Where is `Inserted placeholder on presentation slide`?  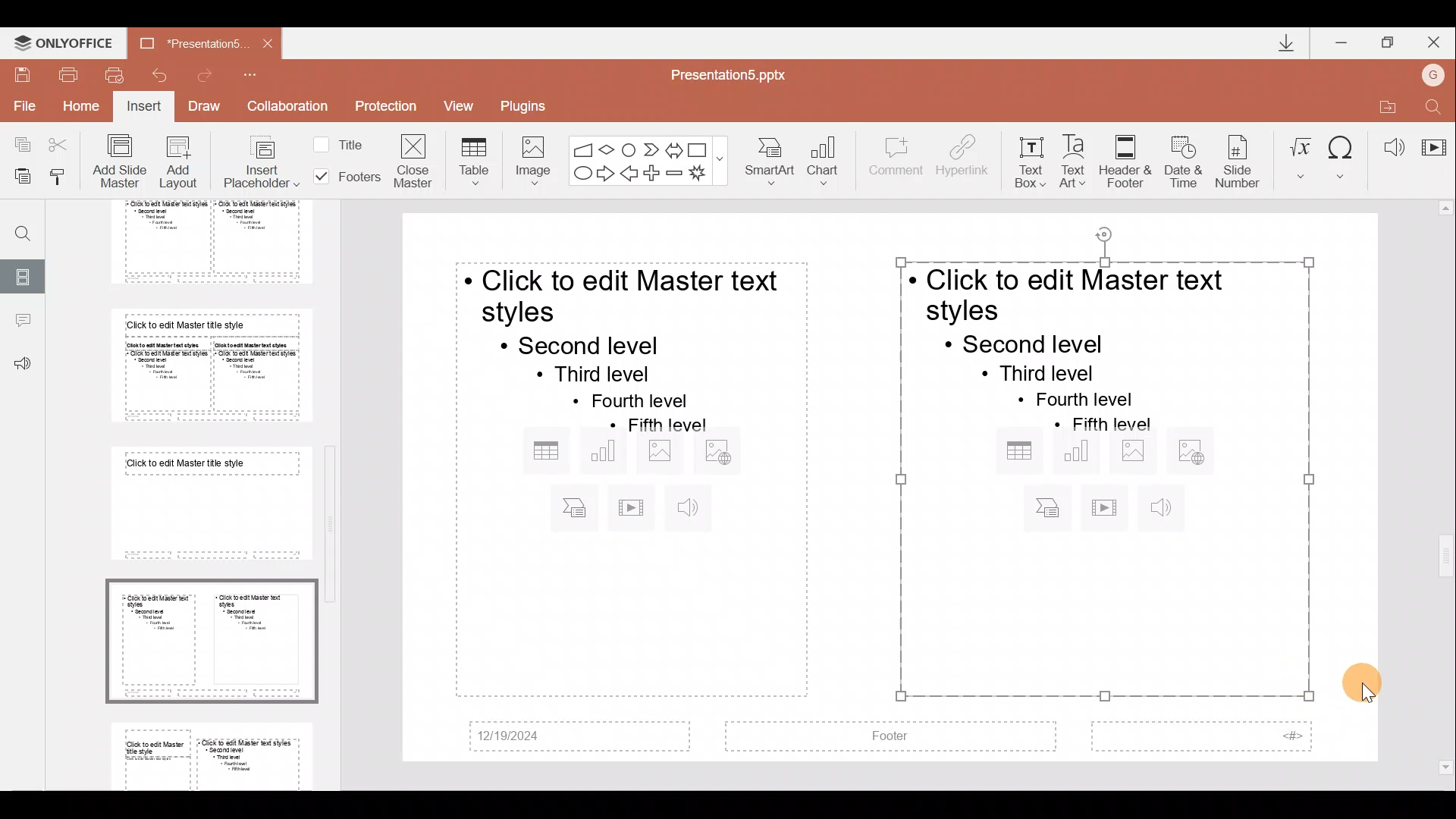 Inserted placeholder on presentation slide is located at coordinates (1106, 477).